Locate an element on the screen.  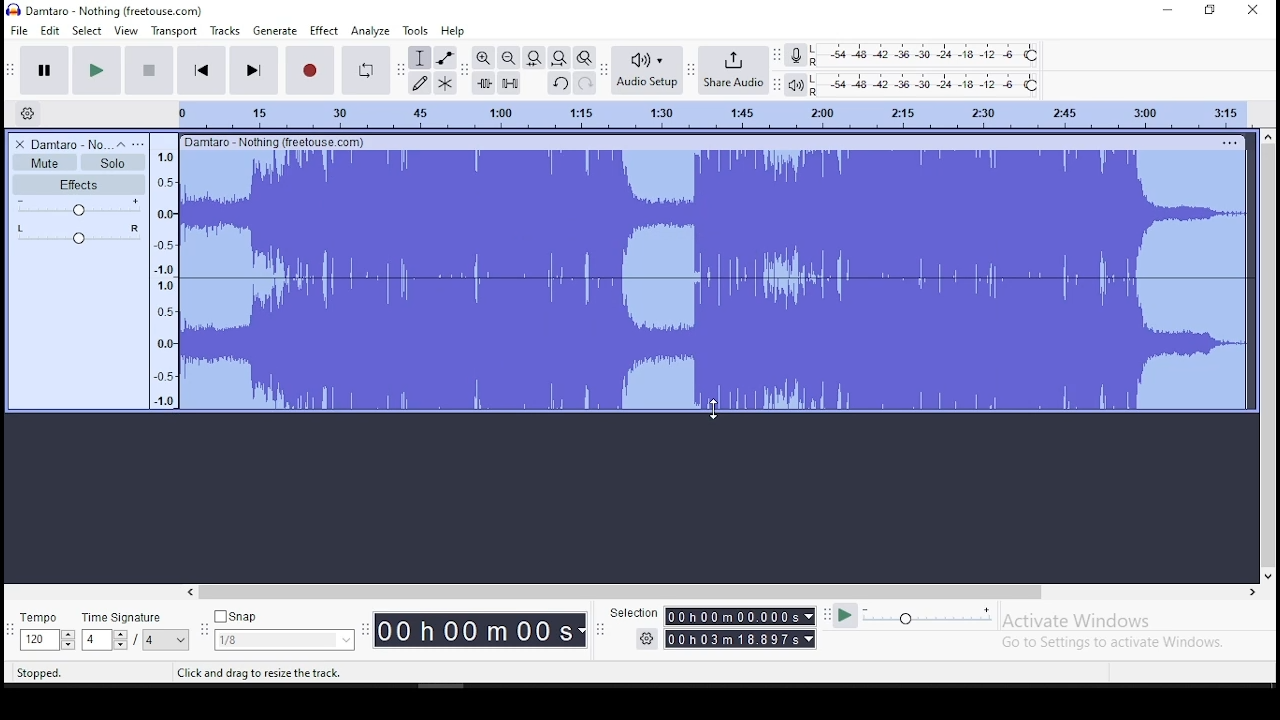
stop is located at coordinates (149, 69).